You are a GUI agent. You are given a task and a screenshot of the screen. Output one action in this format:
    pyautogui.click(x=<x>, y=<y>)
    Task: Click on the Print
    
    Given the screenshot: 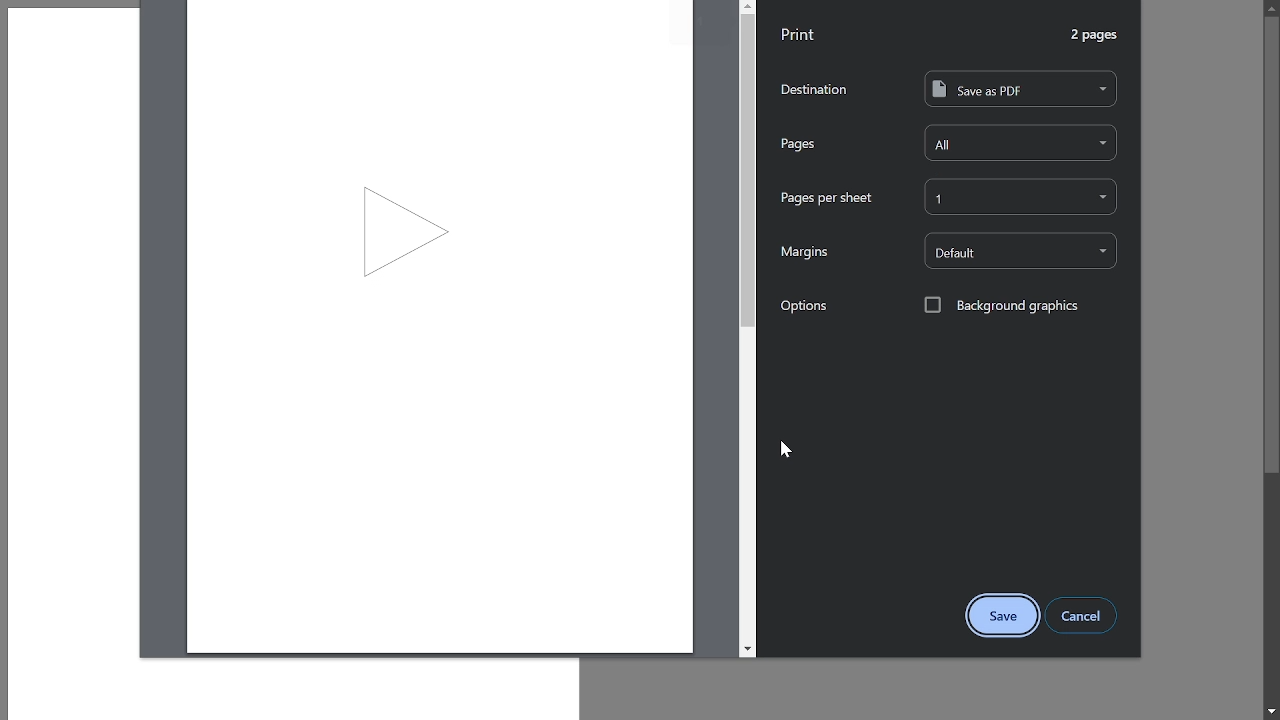 What is the action you would take?
    pyautogui.click(x=799, y=34)
    